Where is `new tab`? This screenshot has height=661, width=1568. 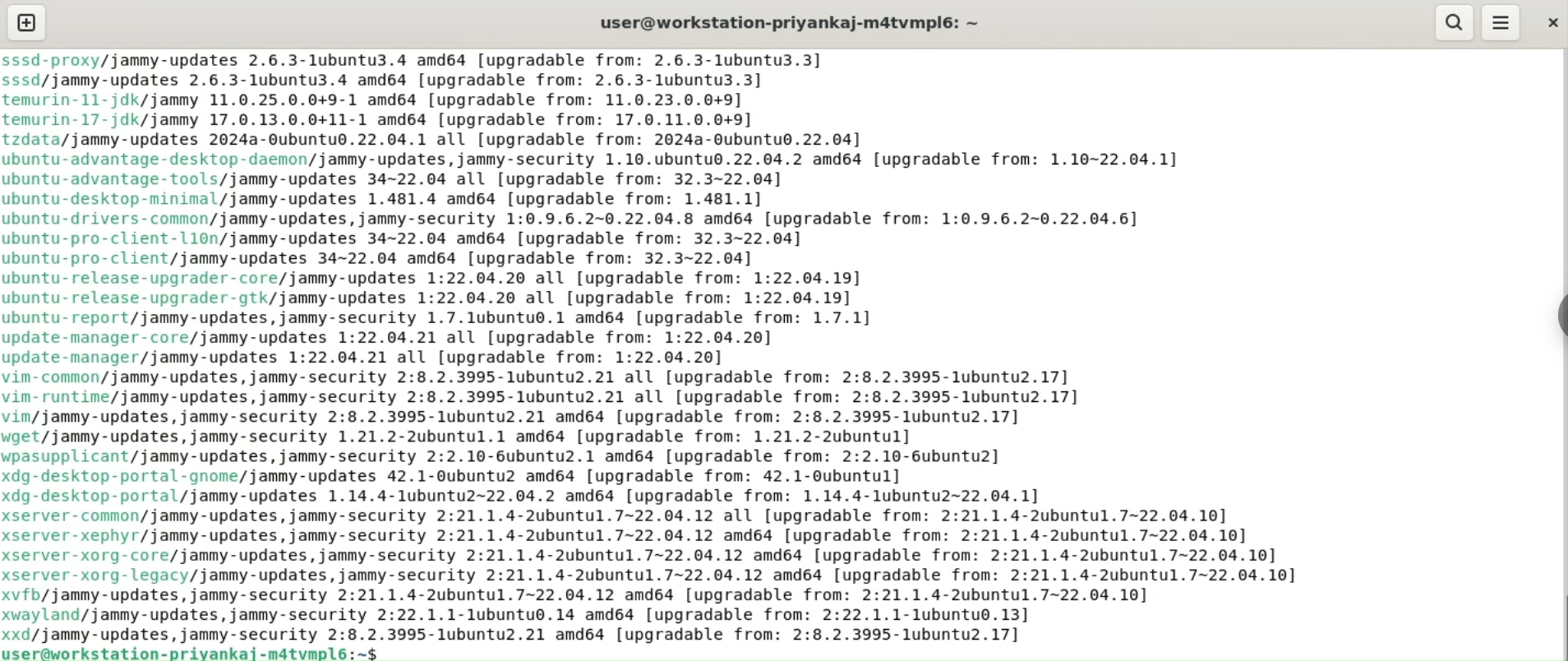
new tab is located at coordinates (26, 22).